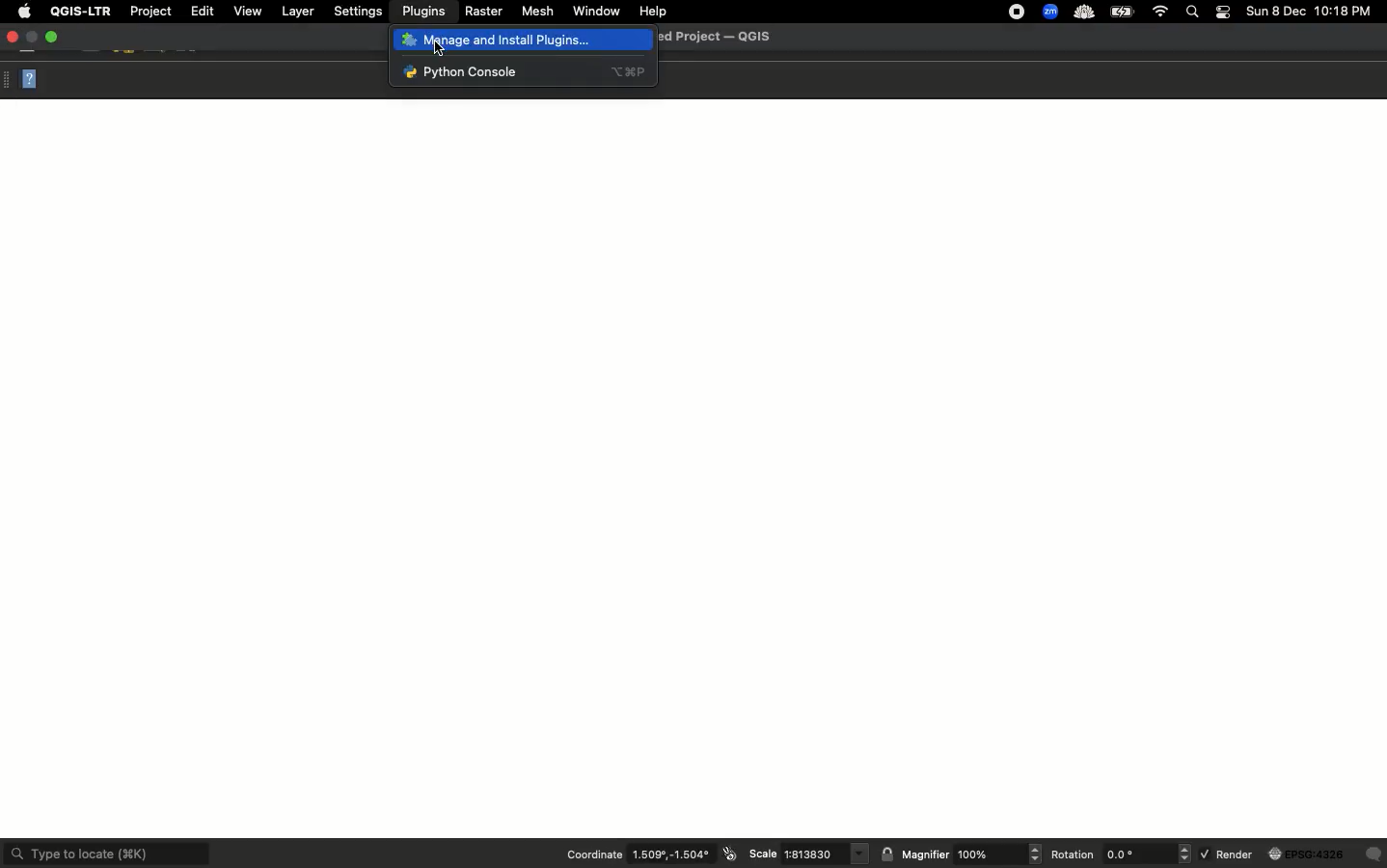 The width and height of the screenshot is (1387, 868). I want to click on Coordinate, so click(650, 854).